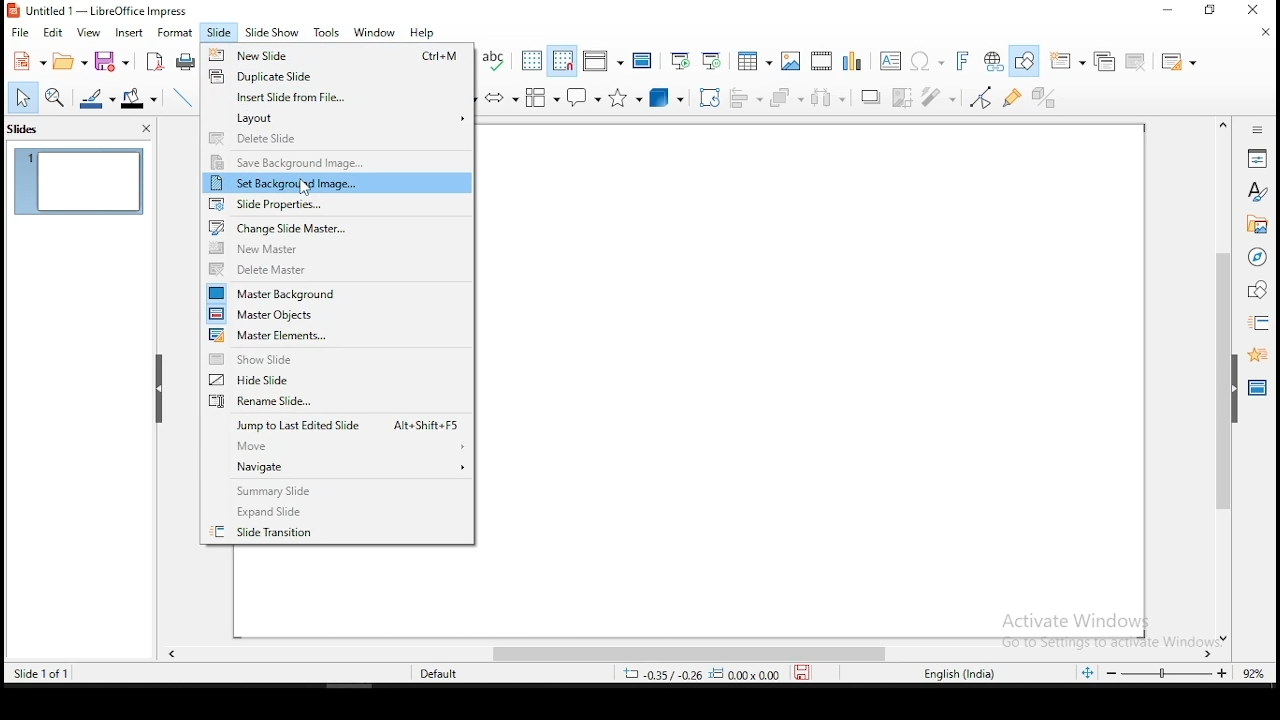  What do you see at coordinates (107, 14) in the screenshot?
I see `icon and filename` at bounding box center [107, 14].